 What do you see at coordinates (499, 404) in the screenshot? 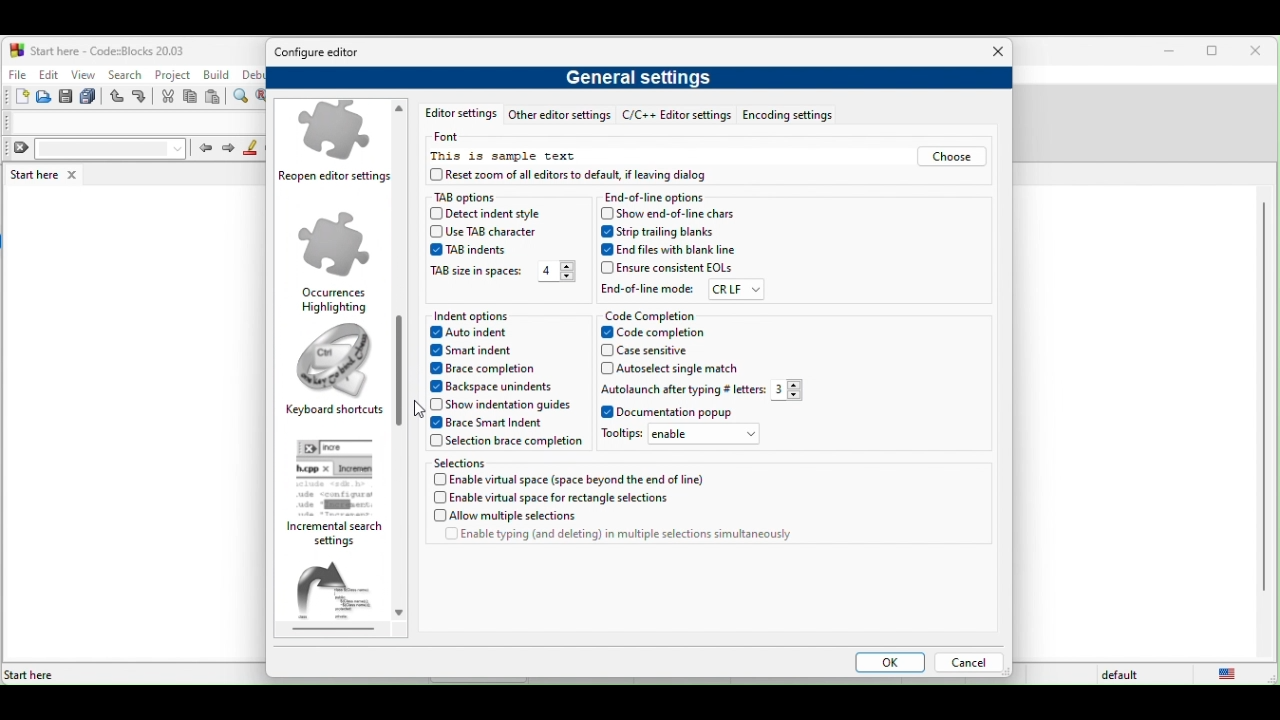
I see `show indentation guide` at bounding box center [499, 404].